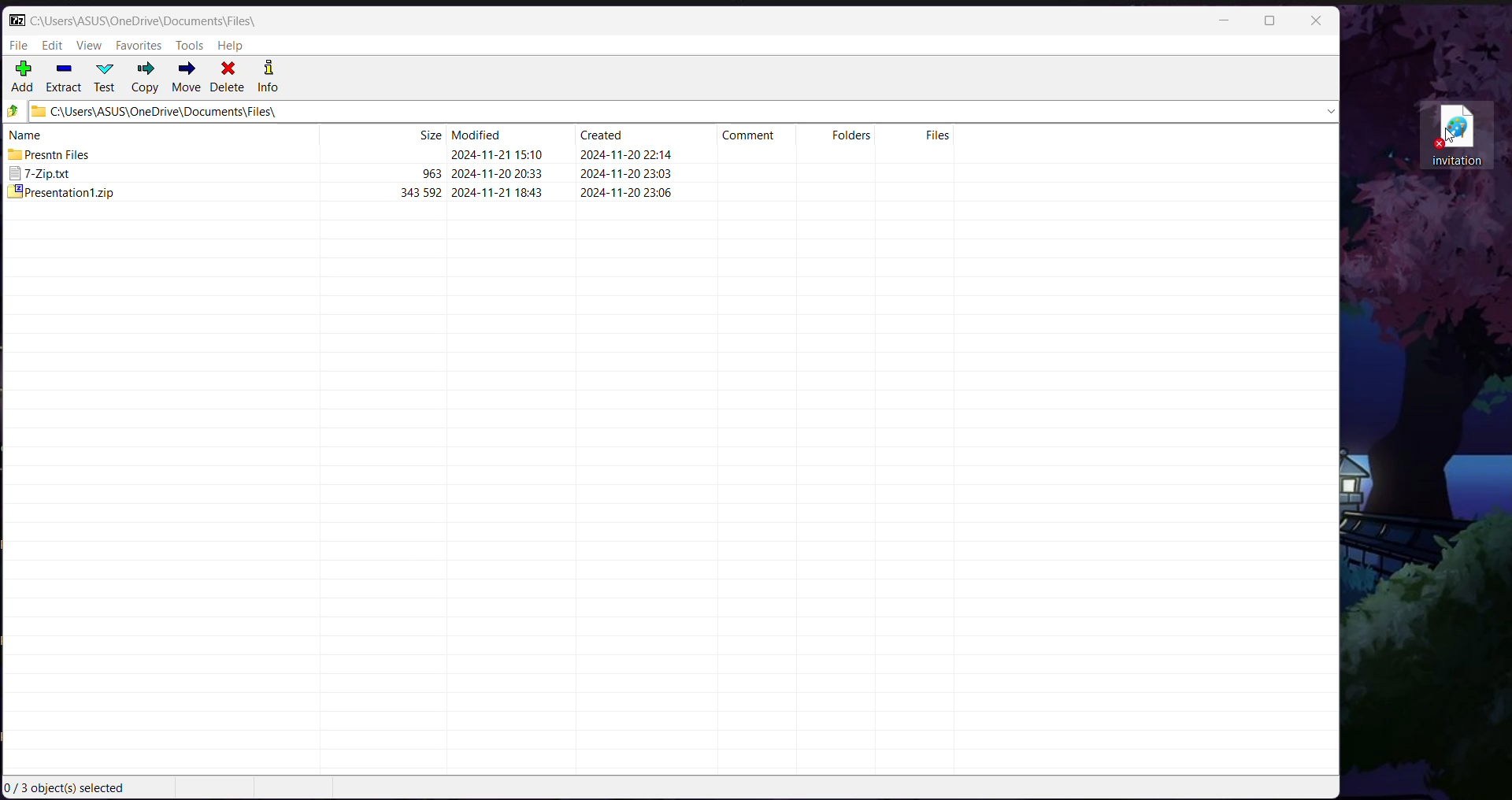 The height and width of the screenshot is (800, 1512). What do you see at coordinates (485, 134) in the screenshot?
I see `Modified` at bounding box center [485, 134].